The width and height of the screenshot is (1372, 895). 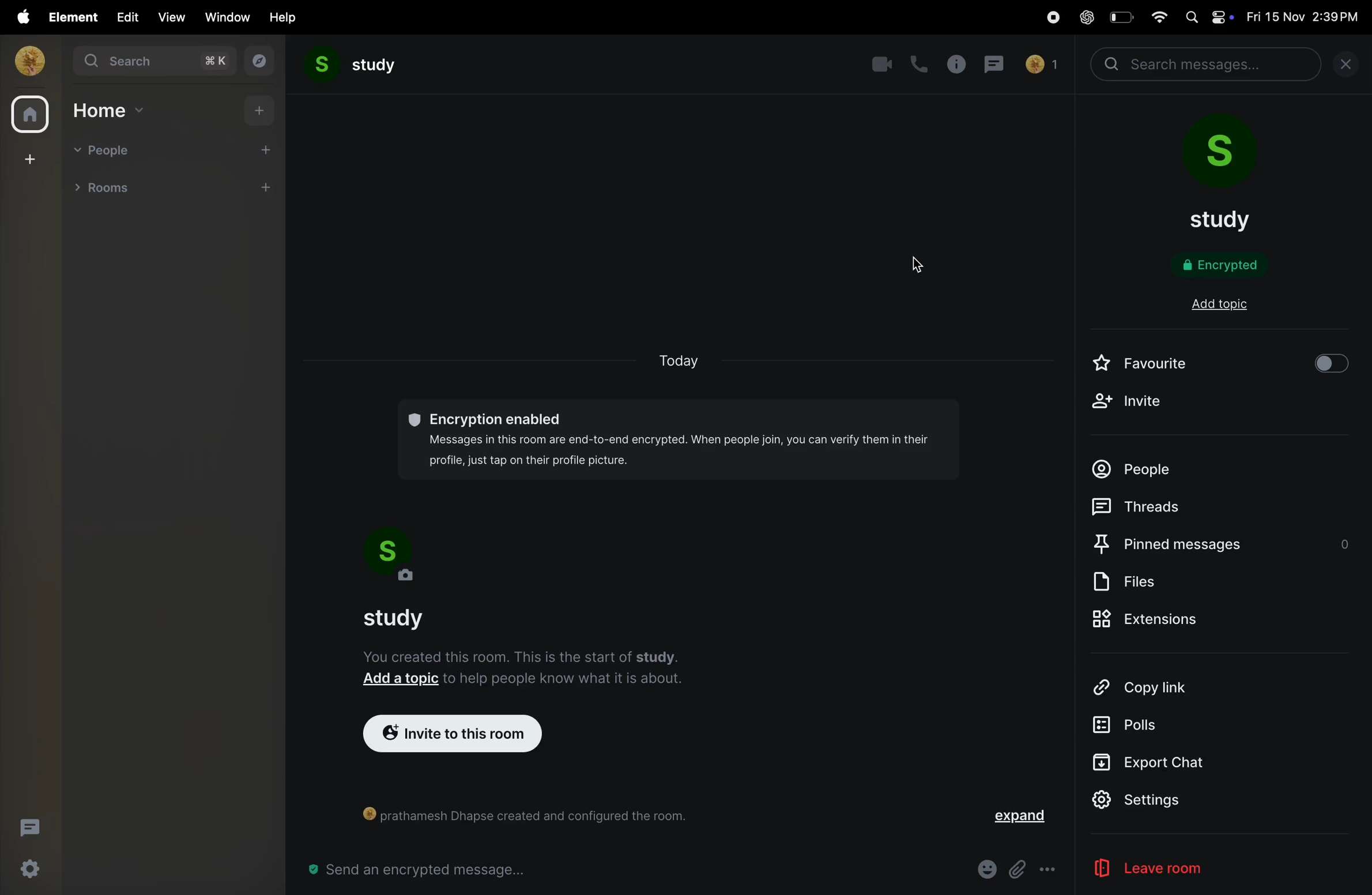 What do you see at coordinates (352, 66) in the screenshot?
I see `study` at bounding box center [352, 66].